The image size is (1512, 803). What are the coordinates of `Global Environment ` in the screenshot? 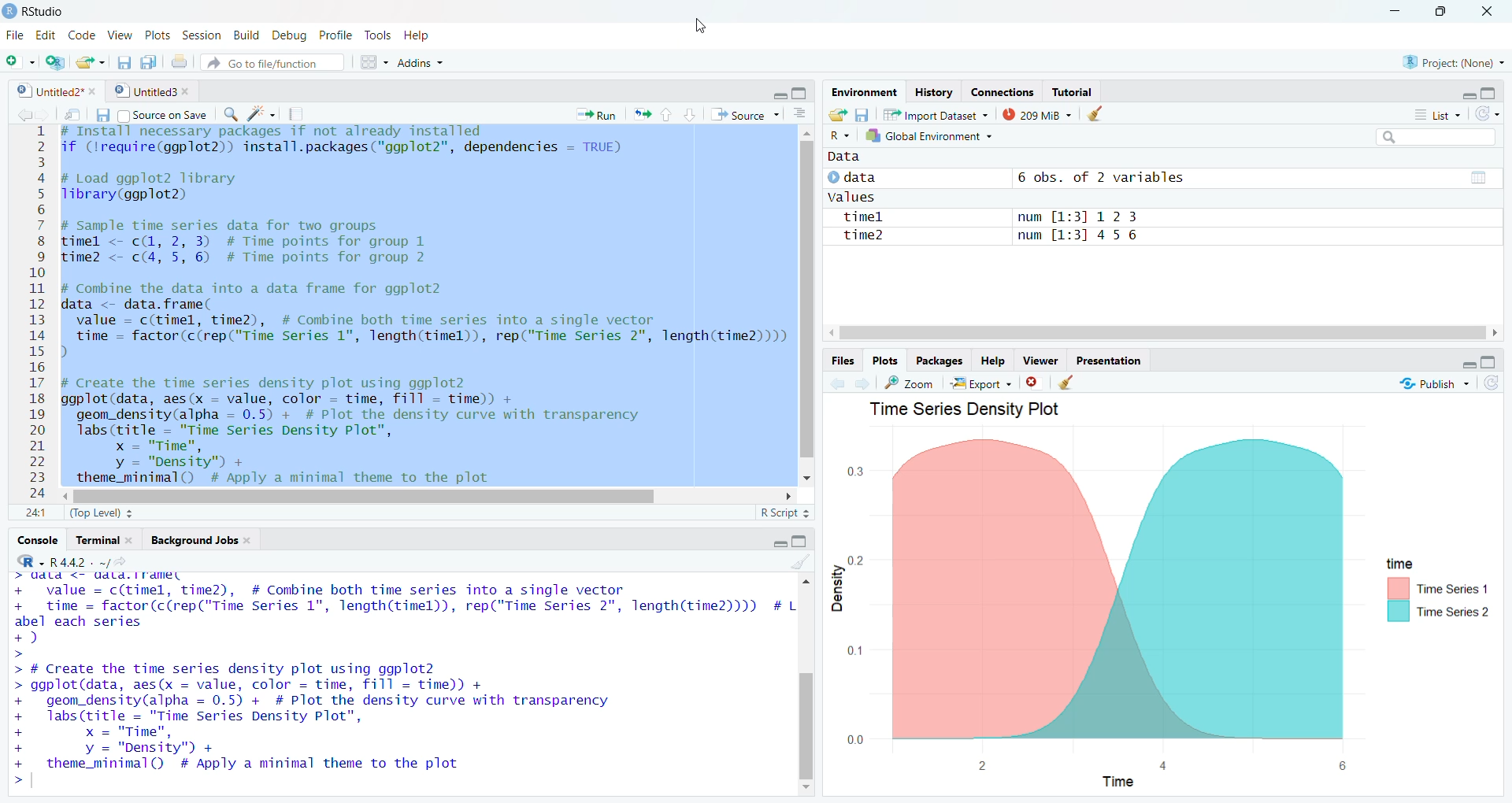 It's located at (930, 136).